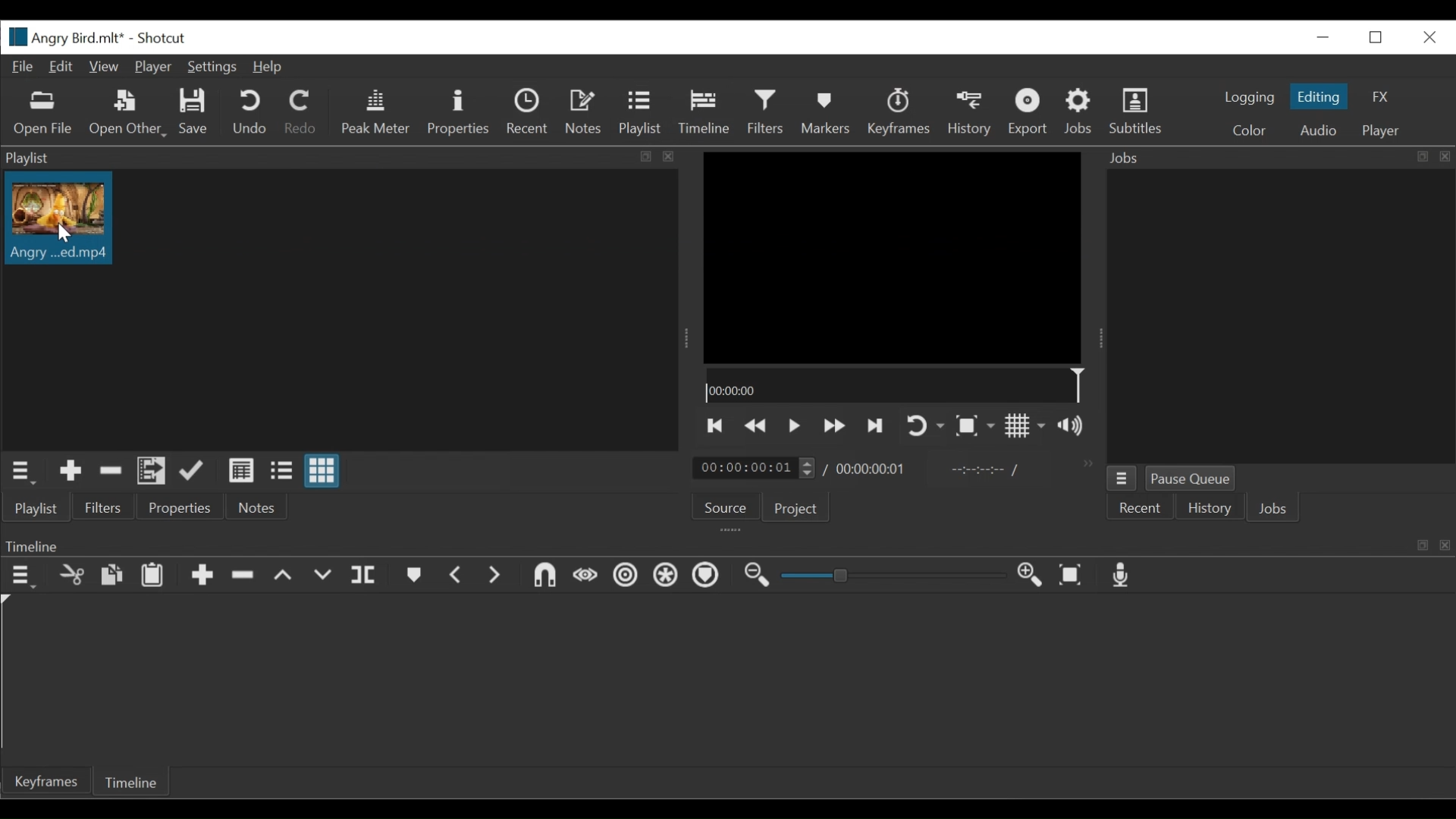 The height and width of the screenshot is (819, 1456). I want to click on Ripple, so click(627, 577).